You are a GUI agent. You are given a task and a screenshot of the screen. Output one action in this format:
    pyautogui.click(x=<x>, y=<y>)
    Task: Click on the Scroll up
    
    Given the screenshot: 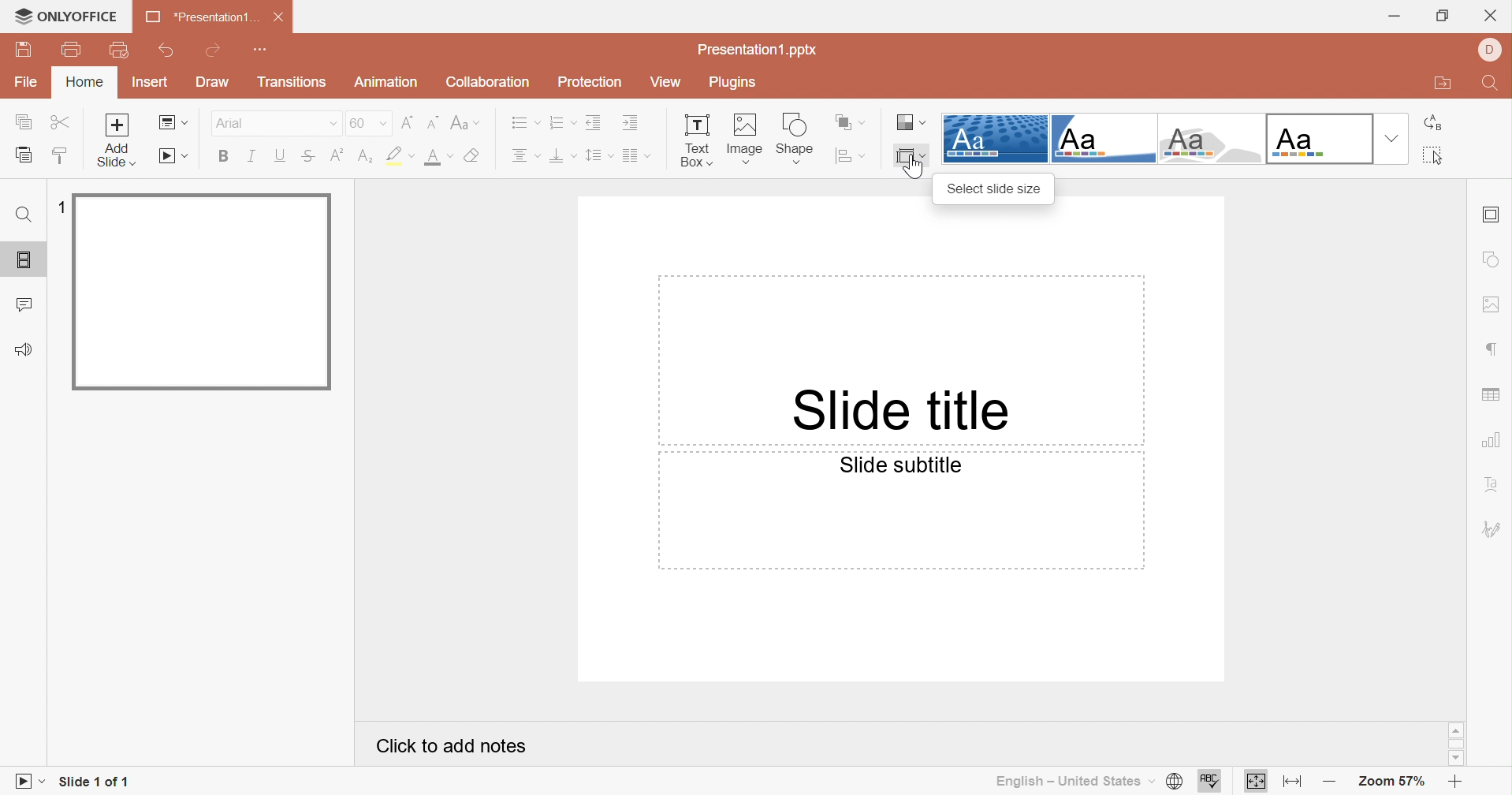 What is the action you would take?
    pyautogui.click(x=1455, y=729)
    